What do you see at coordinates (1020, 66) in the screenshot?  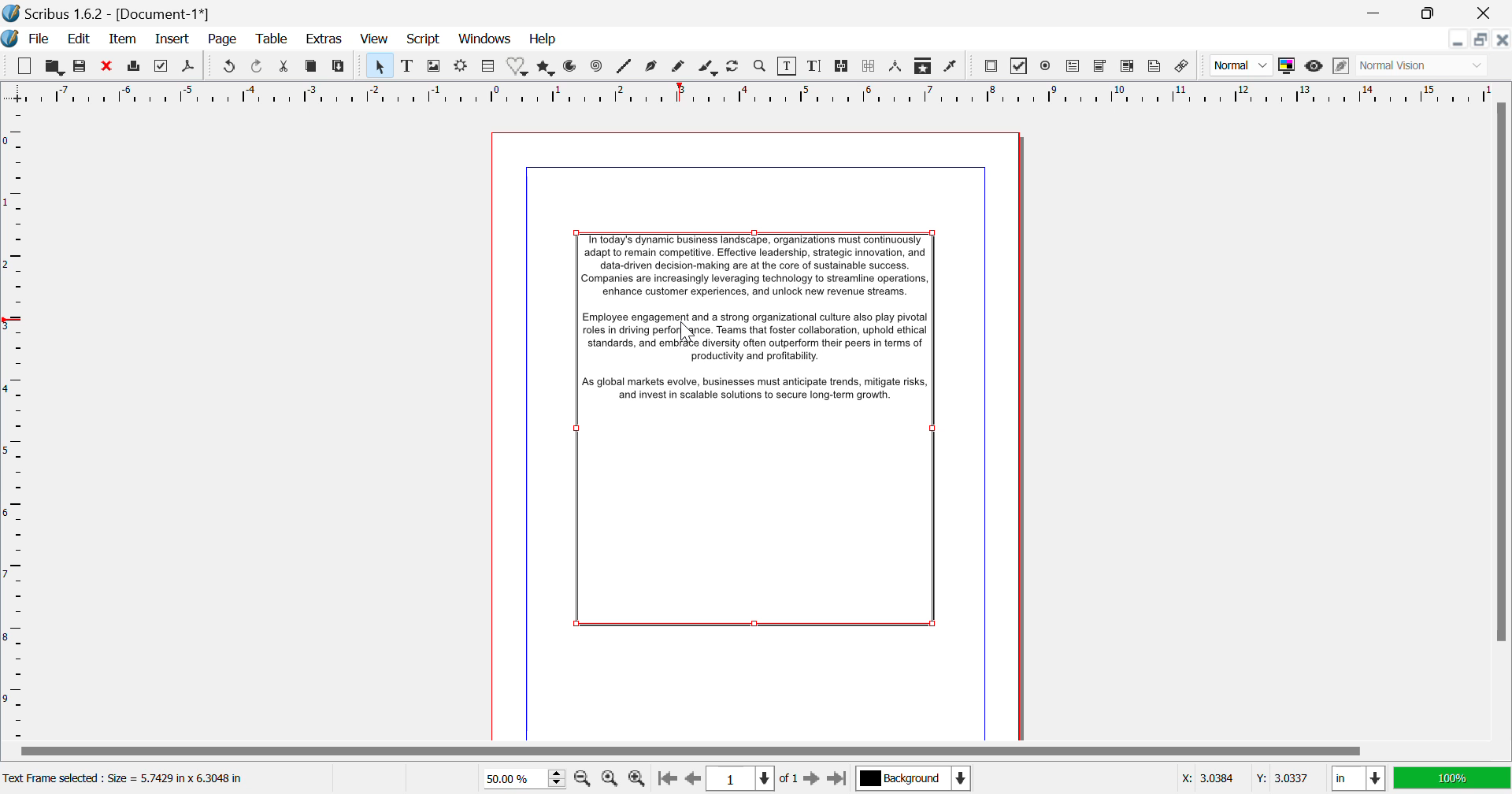 I see `Pdf checkbox` at bounding box center [1020, 66].